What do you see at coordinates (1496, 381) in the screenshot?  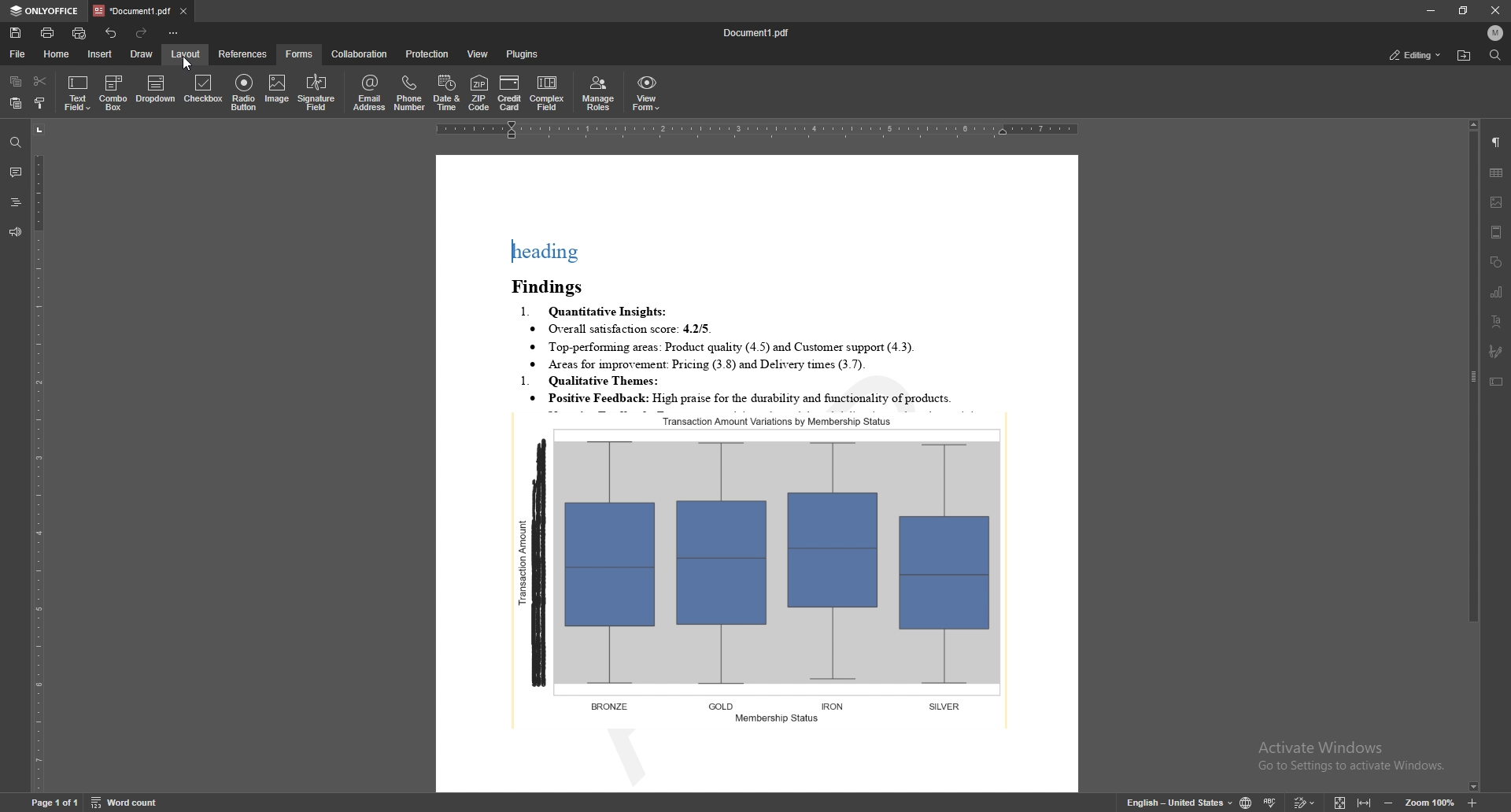 I see `text box` at bounding box center [1496, 381].